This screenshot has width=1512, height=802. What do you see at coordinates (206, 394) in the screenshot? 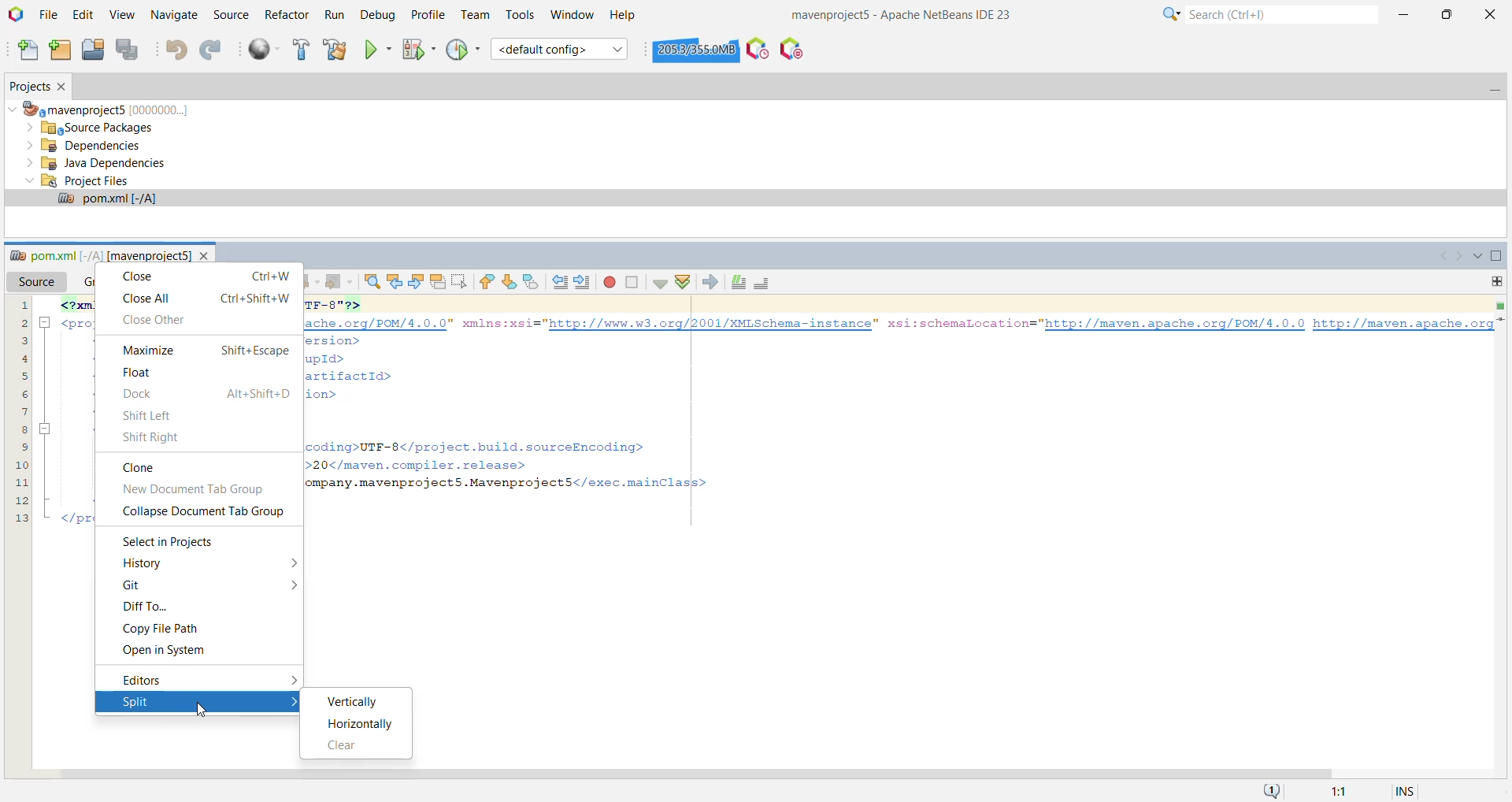
I see `Dock` at bounding box center [206, 394].